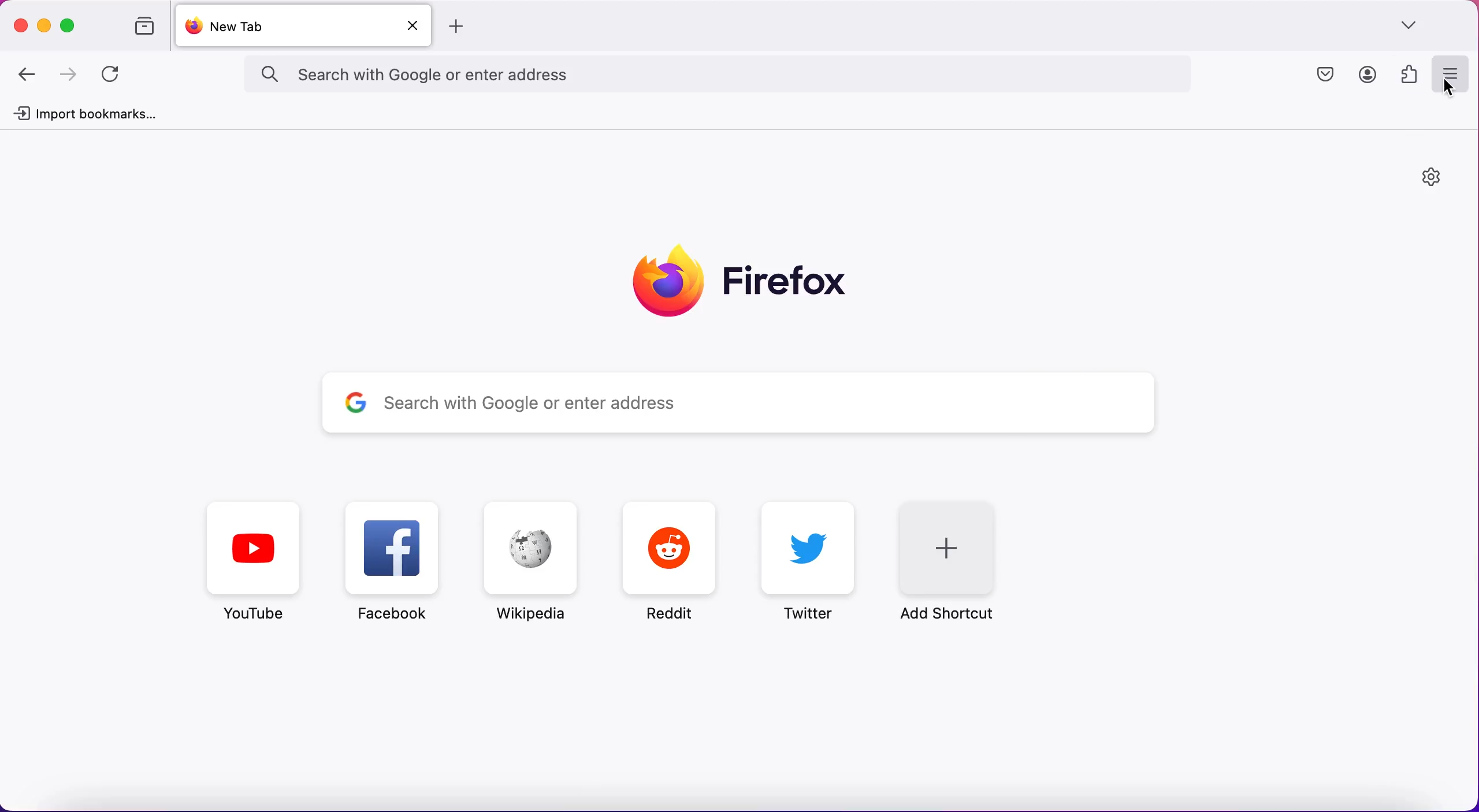 The image size is (1479, 812). Describe the element at coordinates (44, 24) in the screenshot. I see `minimize` at that location.